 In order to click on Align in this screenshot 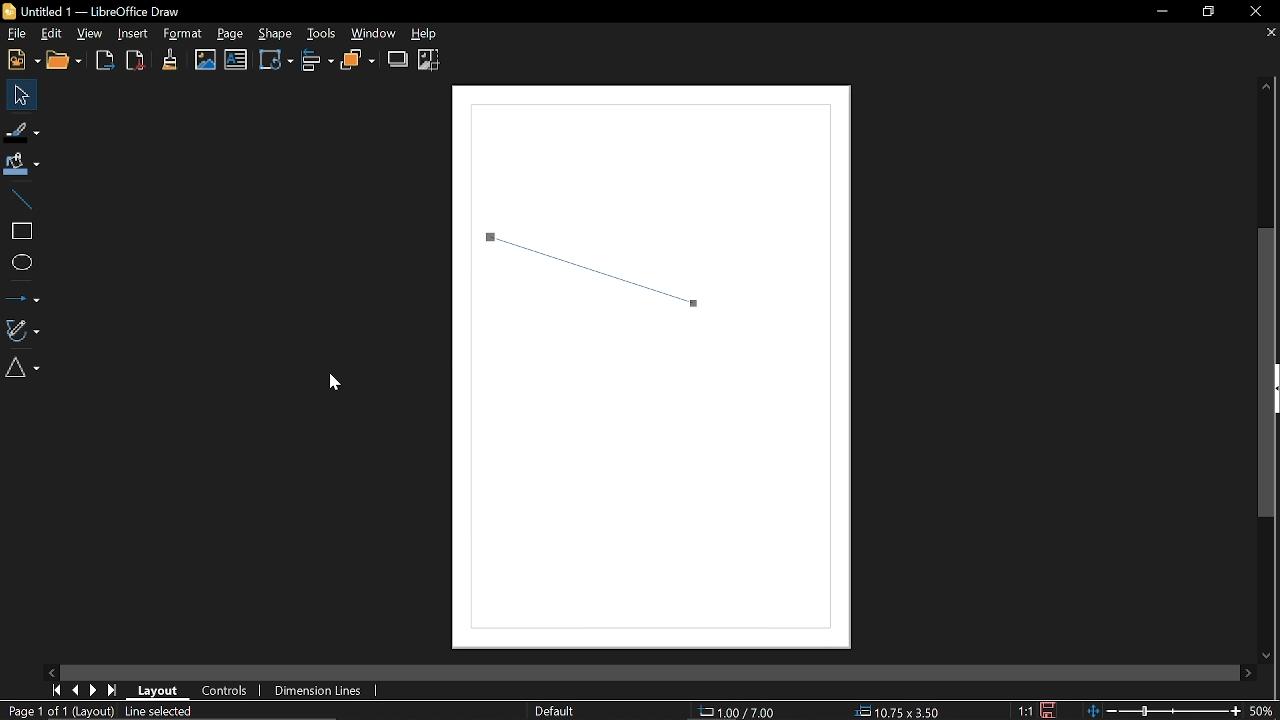, I will do `click(318, 62)`.